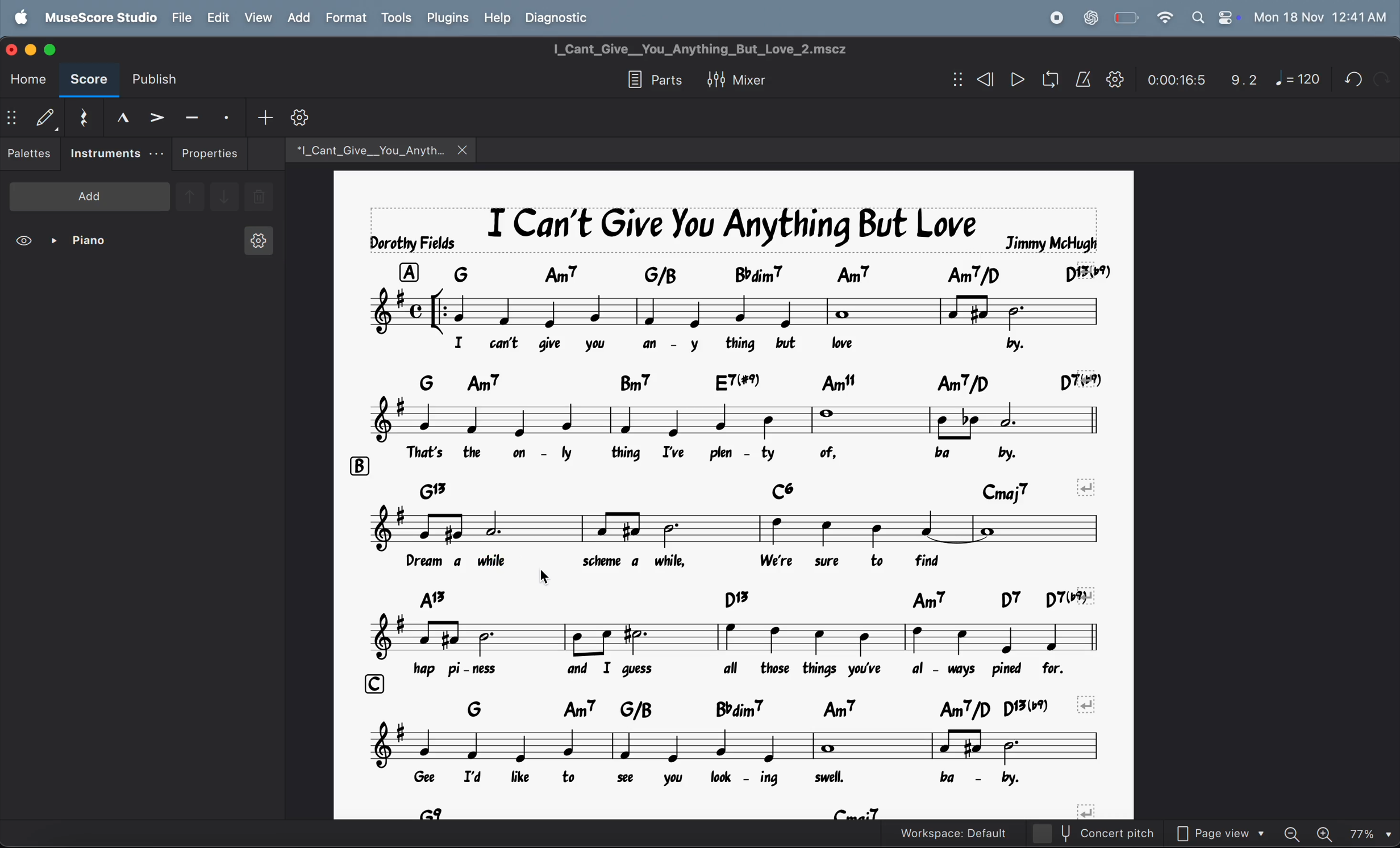 The image size is (1400, 848). I want to click on instruments, so click(113, 153).